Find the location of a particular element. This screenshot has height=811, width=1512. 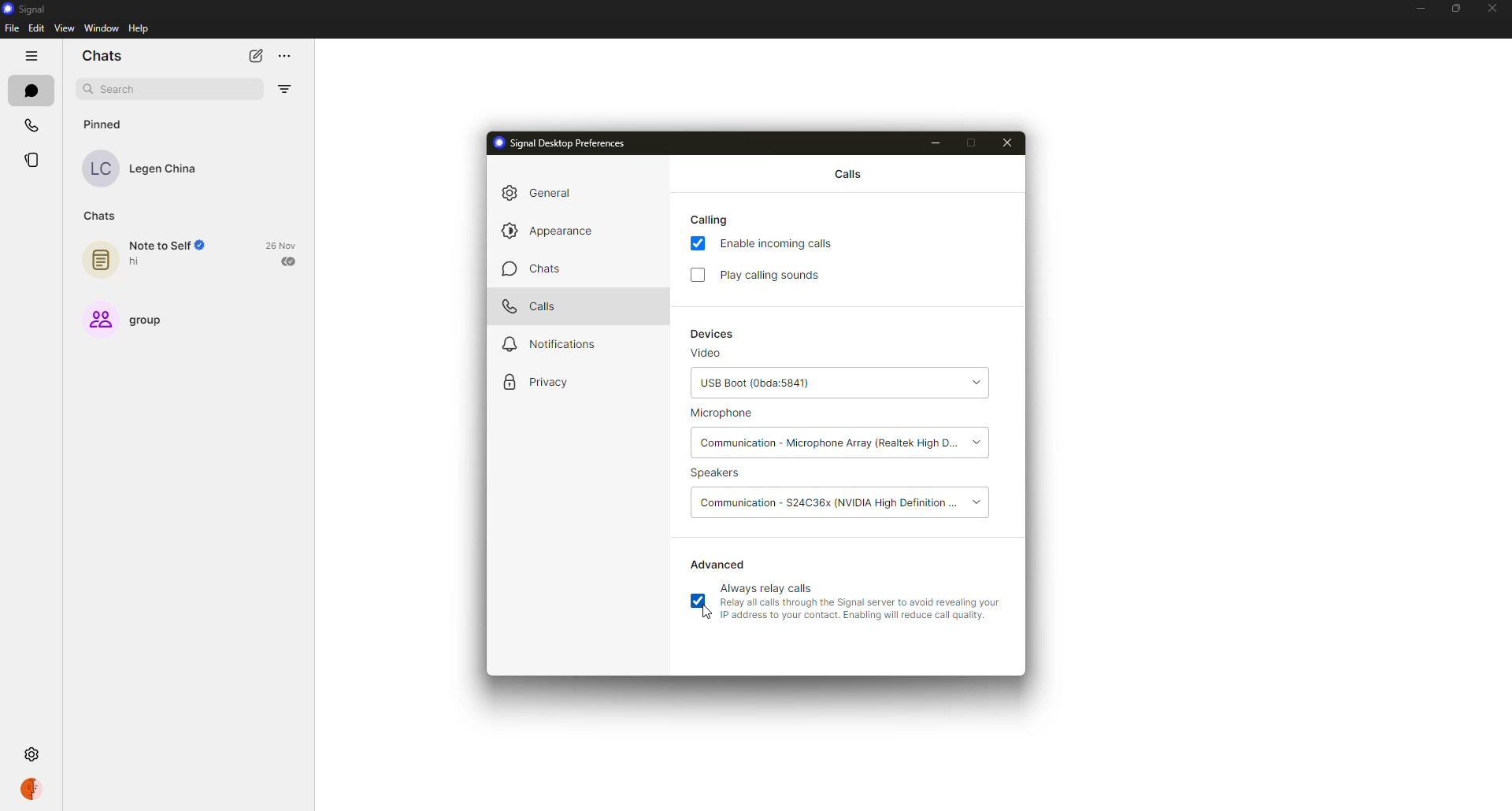

| Communication - $24C36x (NVIDIA High Definition... is located at coordinates (828, 501).